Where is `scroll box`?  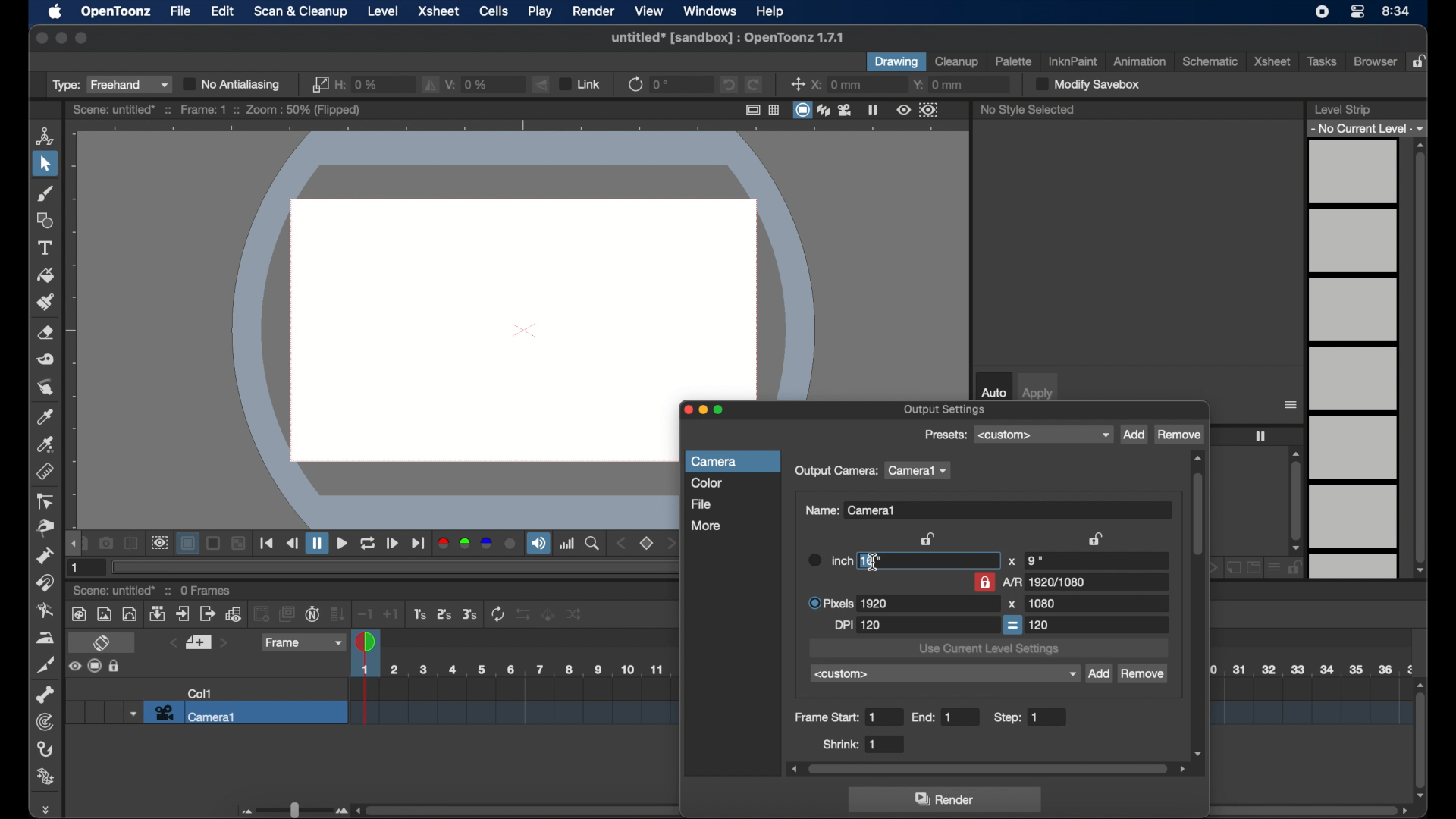 scroll box is located at coordinates (1421, 739).